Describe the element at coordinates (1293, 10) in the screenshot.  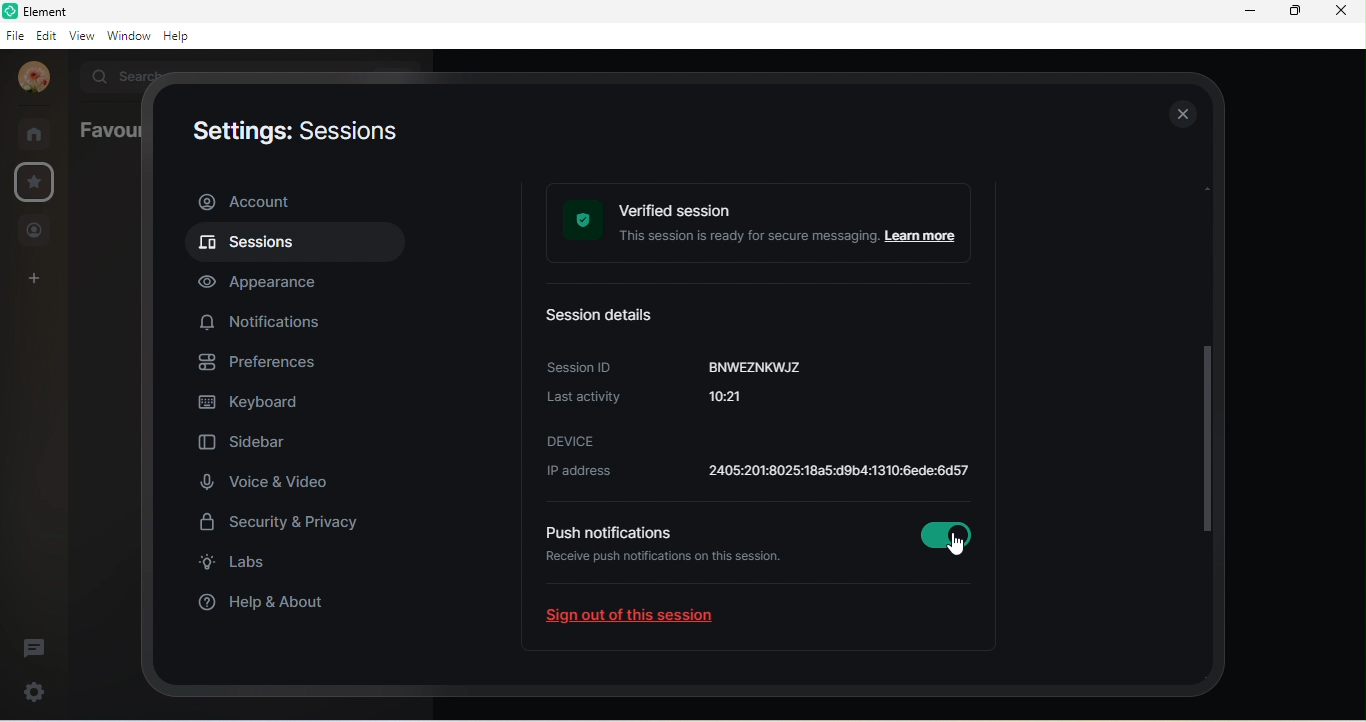
I see `maximize` at that location.